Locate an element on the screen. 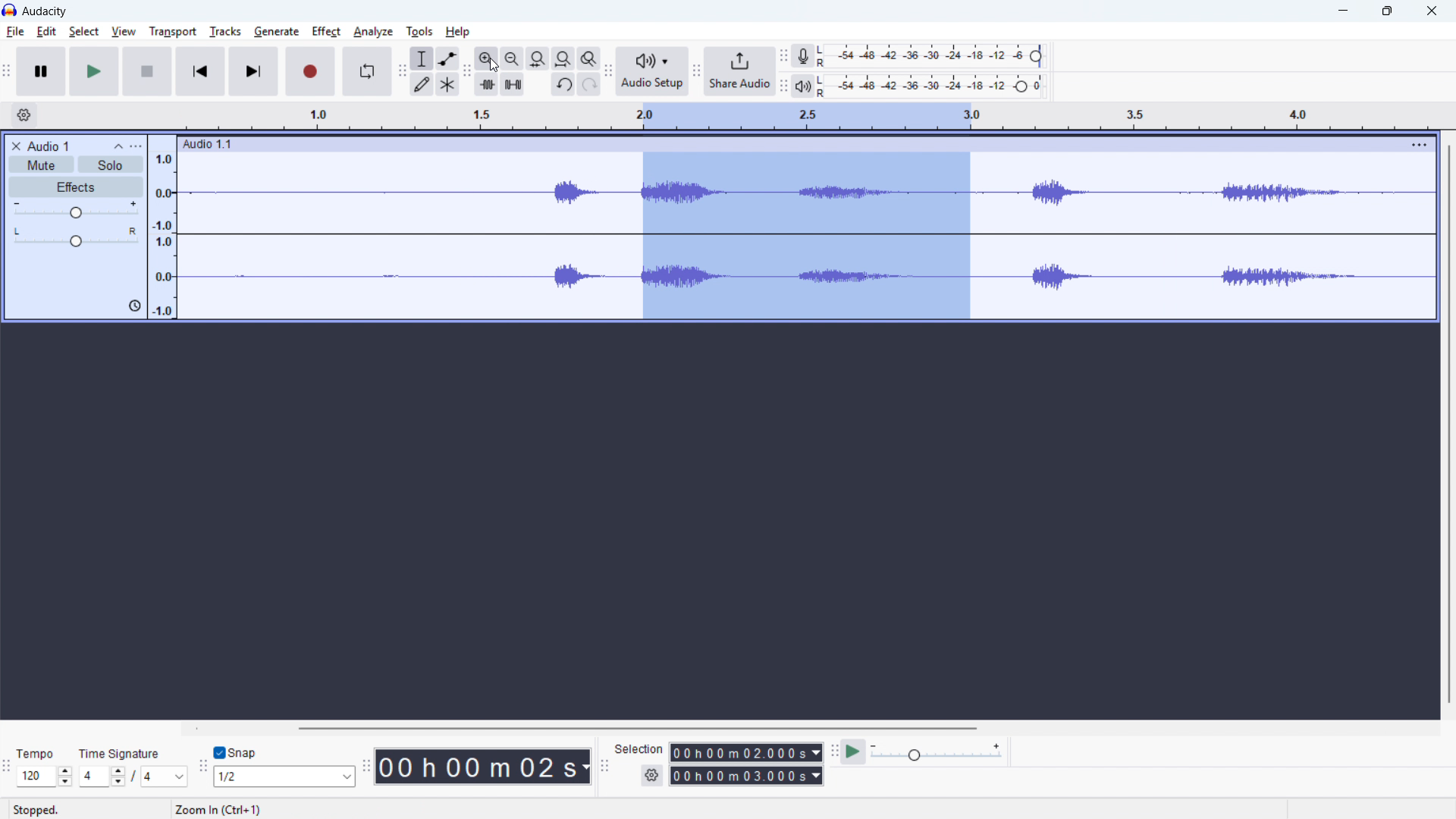  Audio 1:1 is located at coordinates (649, 144).